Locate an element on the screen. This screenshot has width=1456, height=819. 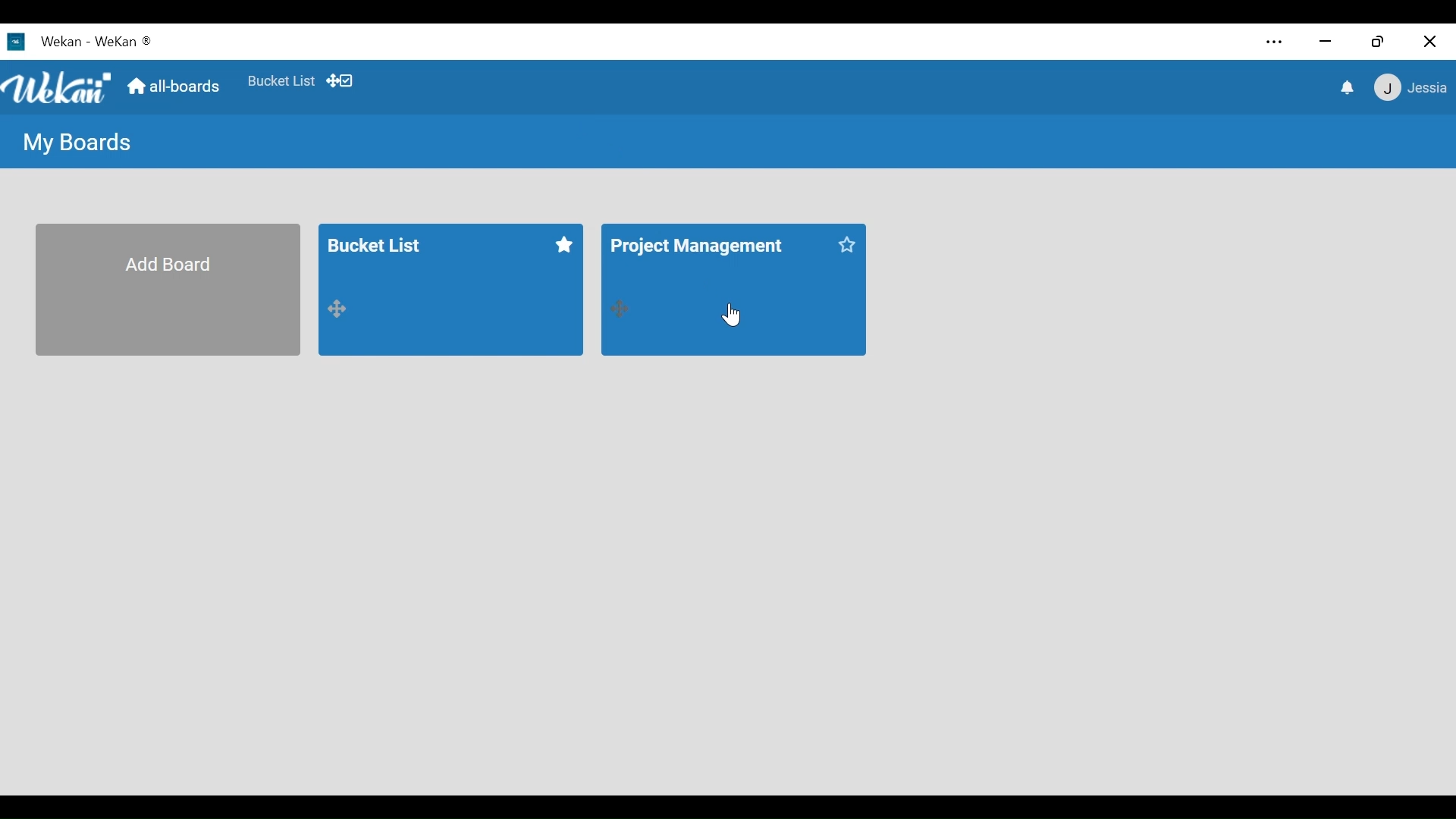
member menu is located at coordinates (1409, 86).